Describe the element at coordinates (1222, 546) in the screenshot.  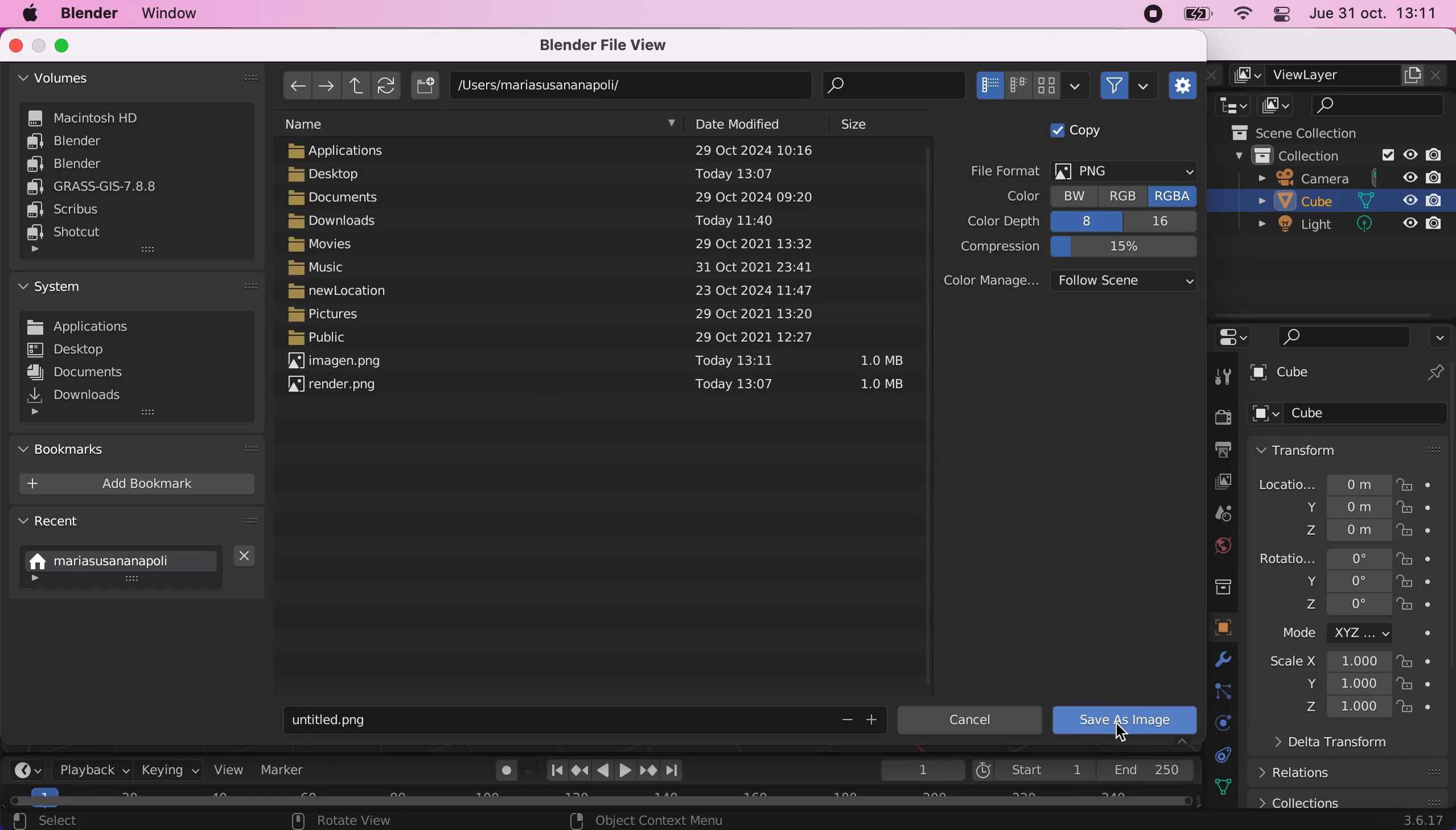
I see `world` at that location.